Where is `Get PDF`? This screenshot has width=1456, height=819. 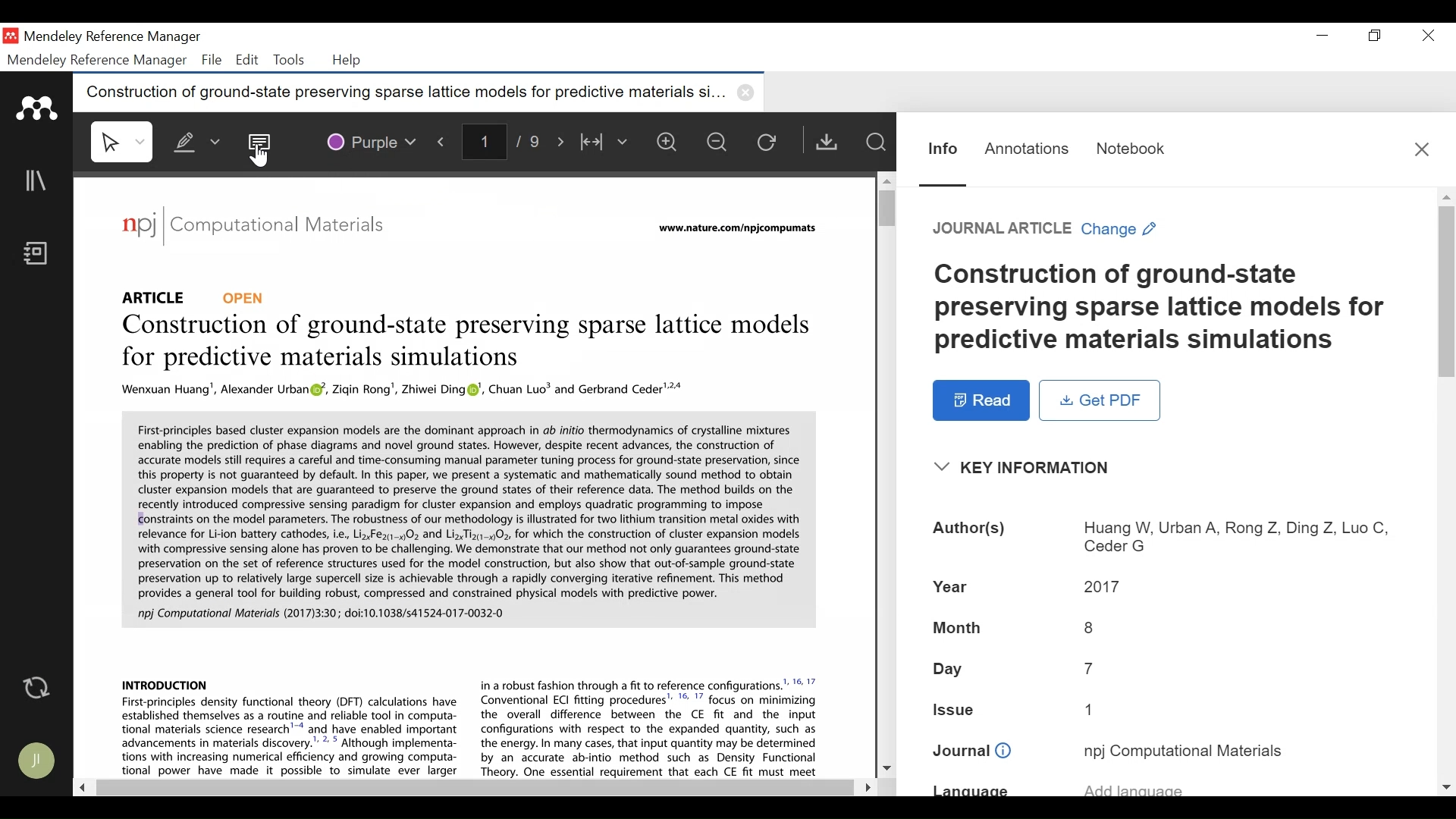 Get PDF is located at coordinates (830, 142).